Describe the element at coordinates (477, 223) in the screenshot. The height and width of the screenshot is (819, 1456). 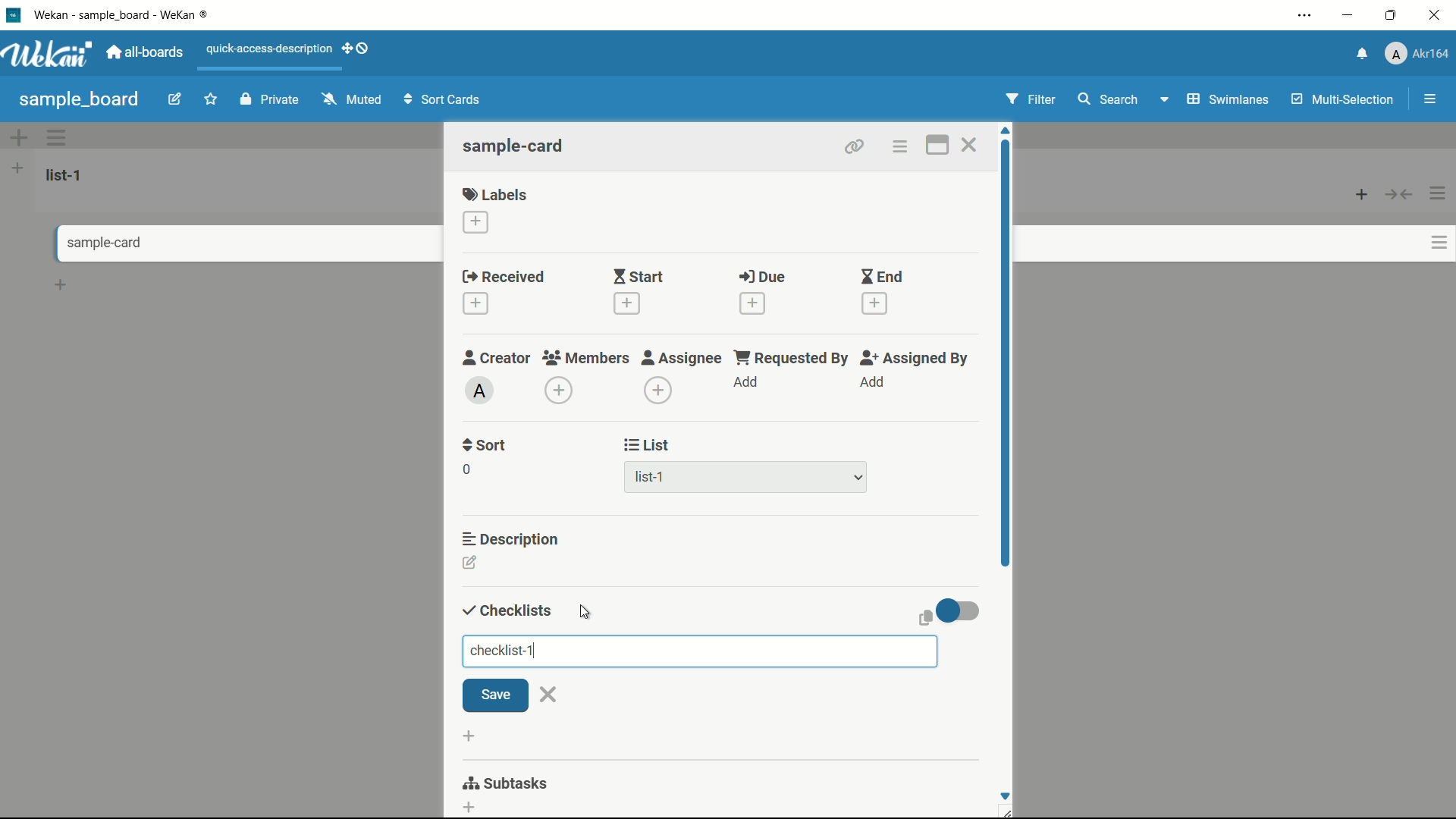
I see `add label` at that location.